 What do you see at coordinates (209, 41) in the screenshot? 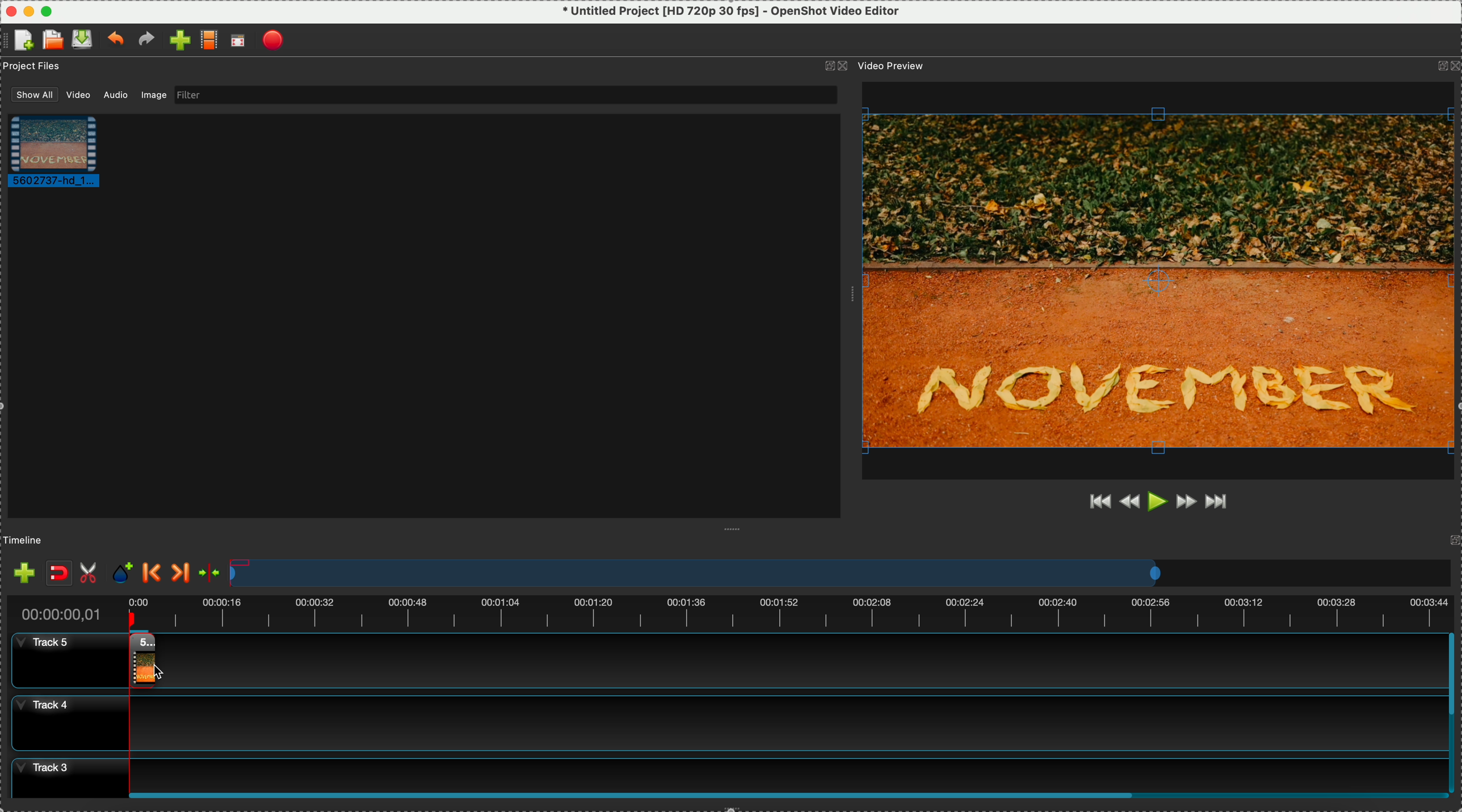
I see `choose profile` at bounding box center [209, 41].